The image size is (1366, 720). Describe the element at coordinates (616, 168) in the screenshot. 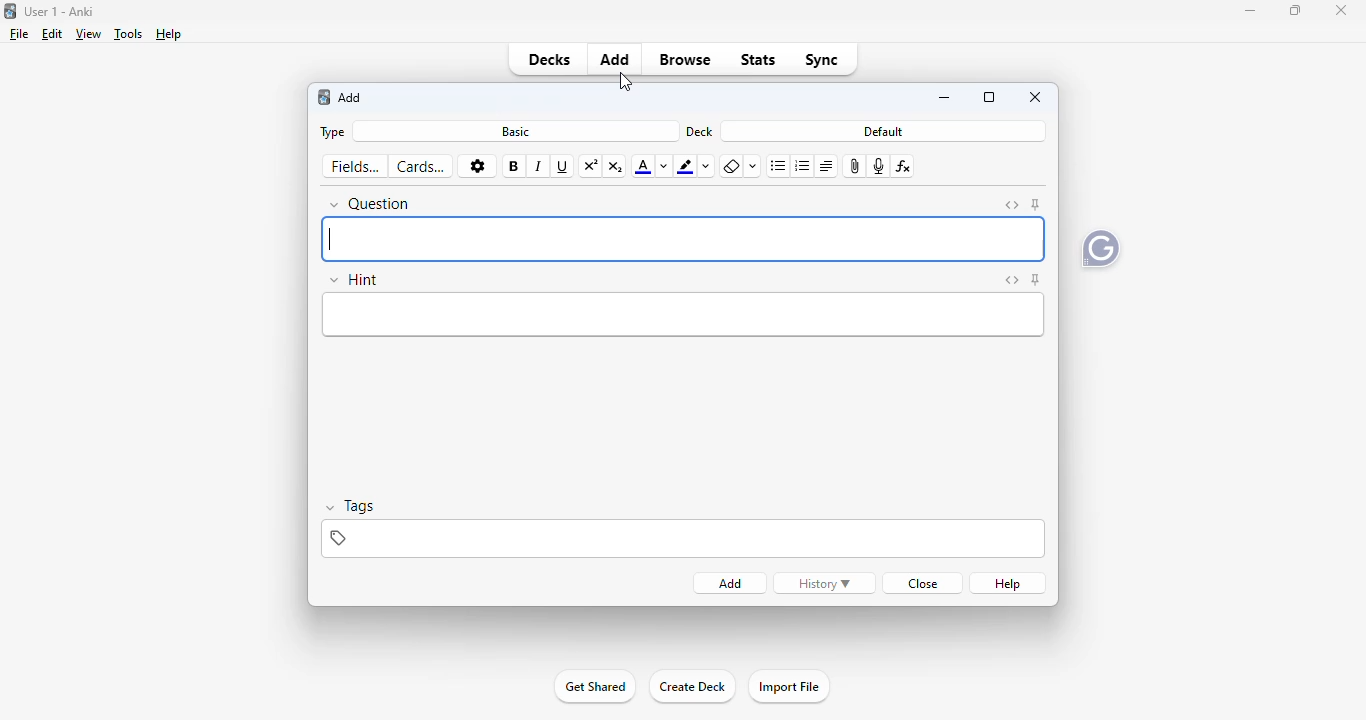

I see `subscript` at that location.